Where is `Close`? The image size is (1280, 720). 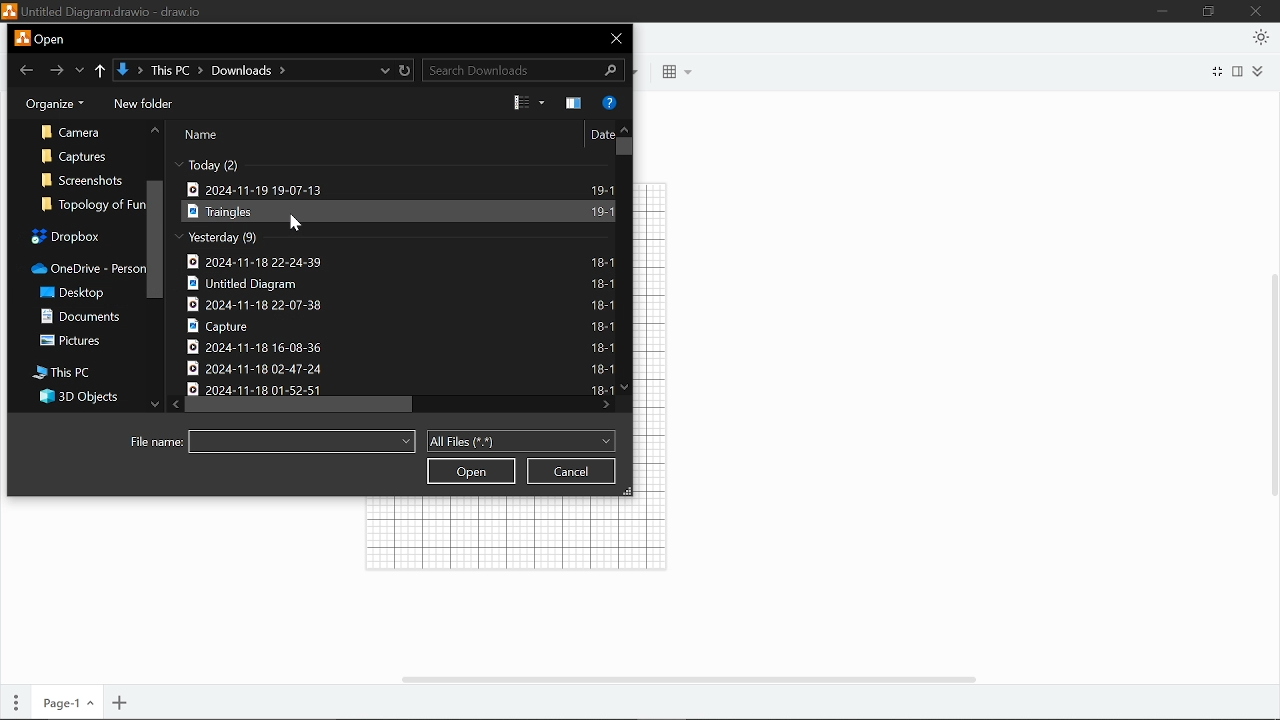 Close is located at coordinates (1259, 12).